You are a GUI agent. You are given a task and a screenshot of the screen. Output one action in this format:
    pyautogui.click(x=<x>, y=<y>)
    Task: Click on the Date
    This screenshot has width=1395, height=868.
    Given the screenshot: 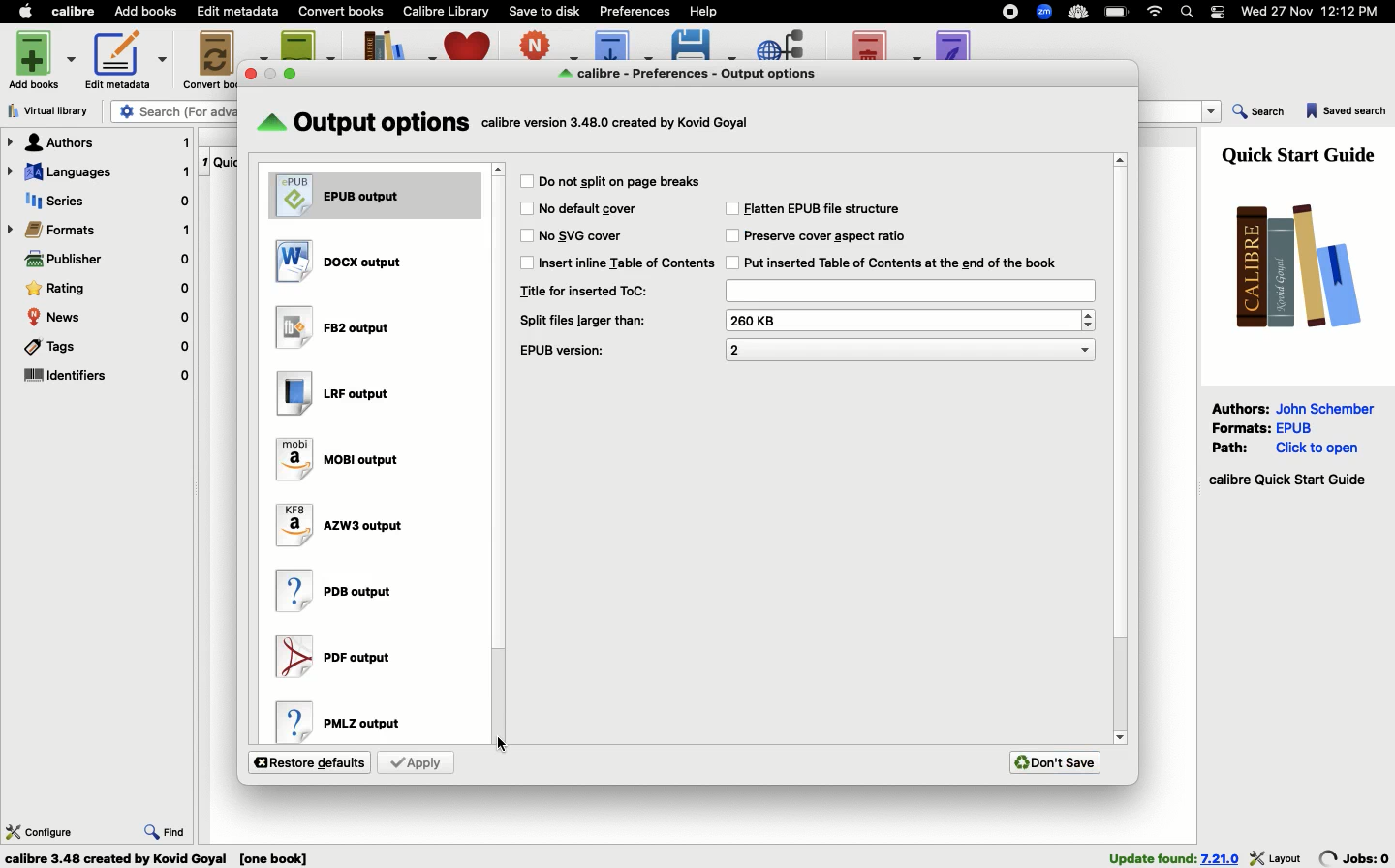 What is the action you would take?
    pyautogui.click(x=1317, y=13)
    